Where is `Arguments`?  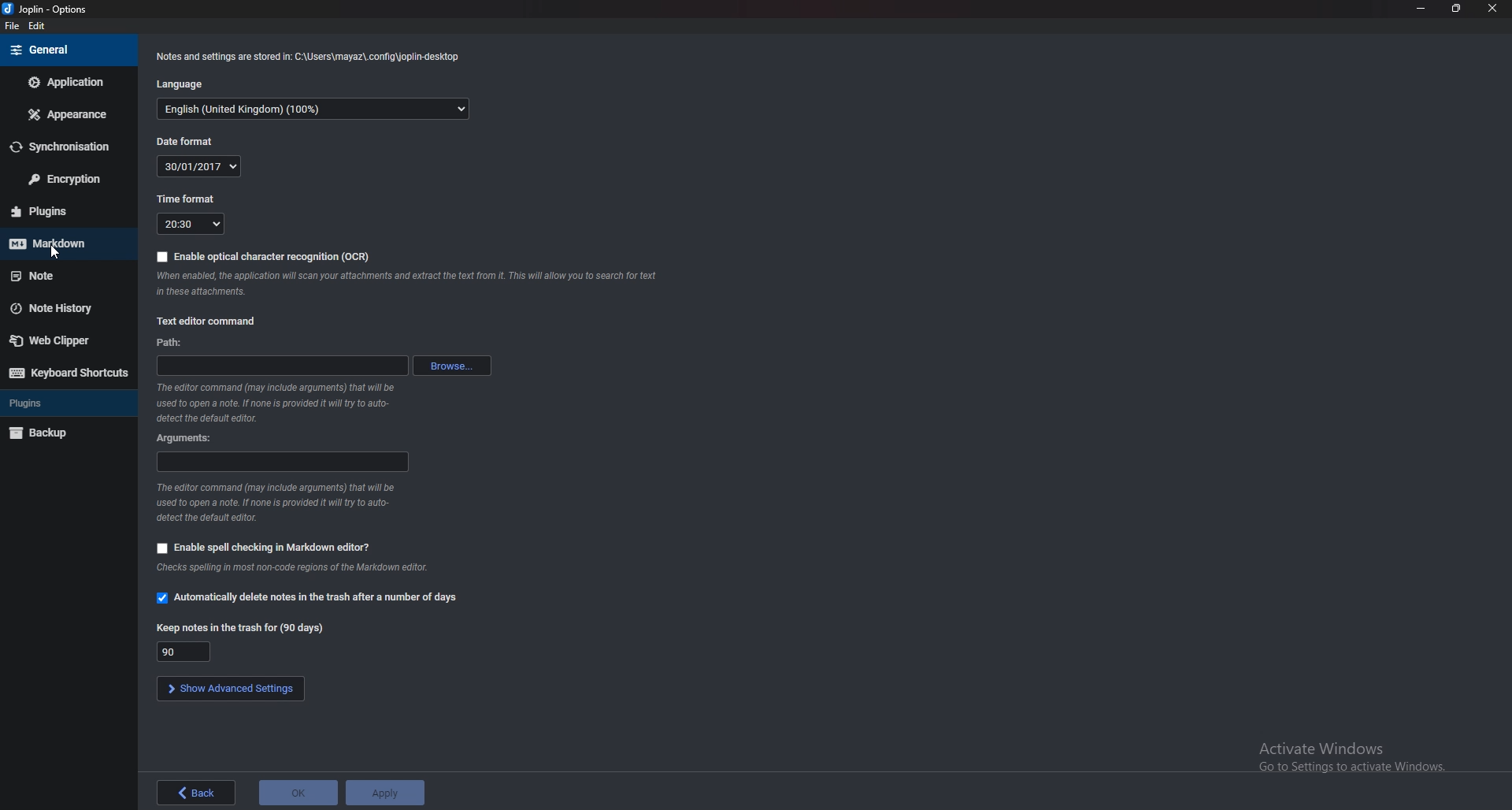
Arguments is located at coordinates (284, 460).